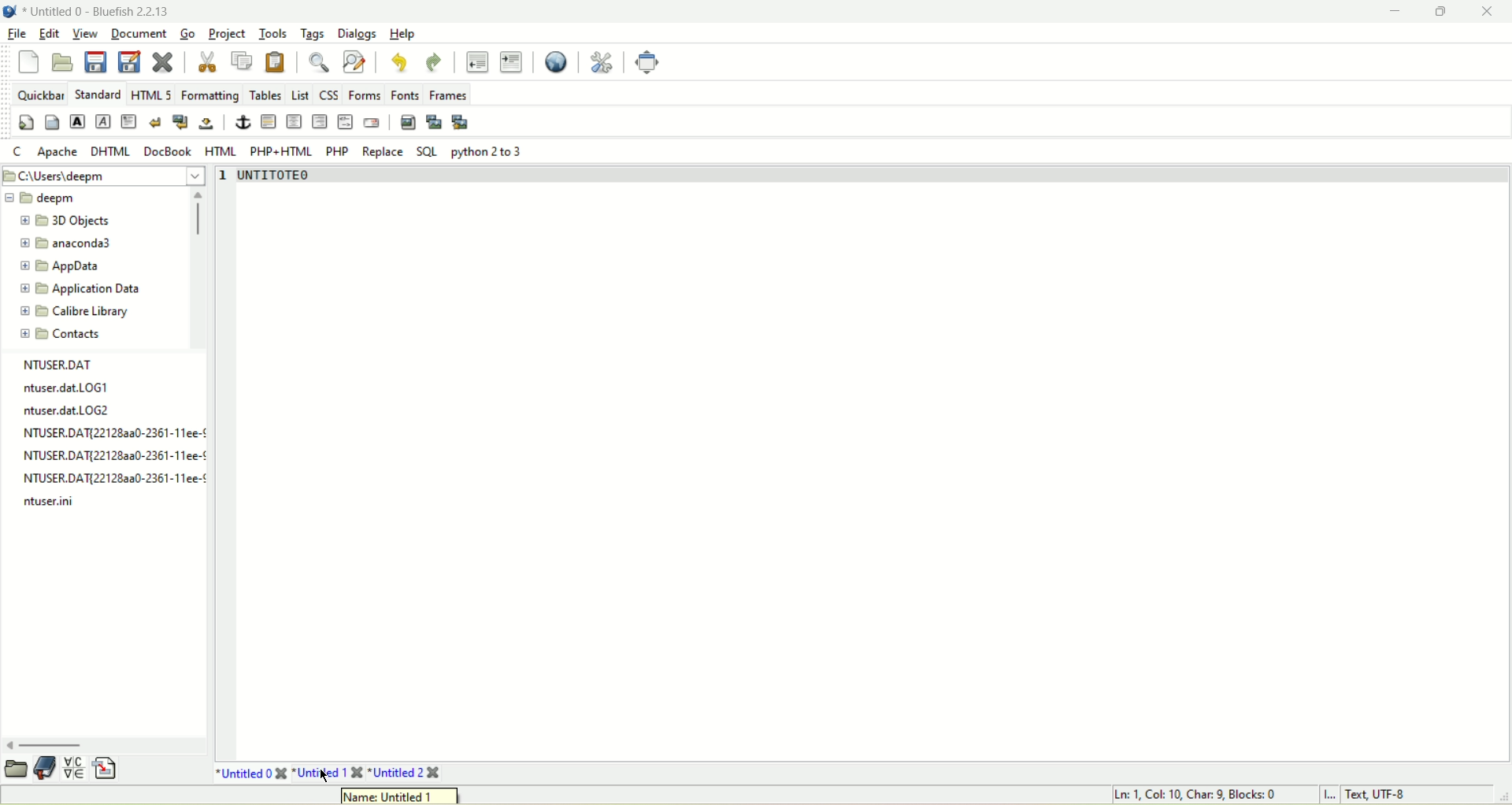 Image resolution: width=1512 pixels, height=805 pixels. What do you see at coordinates (268, 121) in the screenshot?
I see `horizontal rule` at bounding box center [268, 121].